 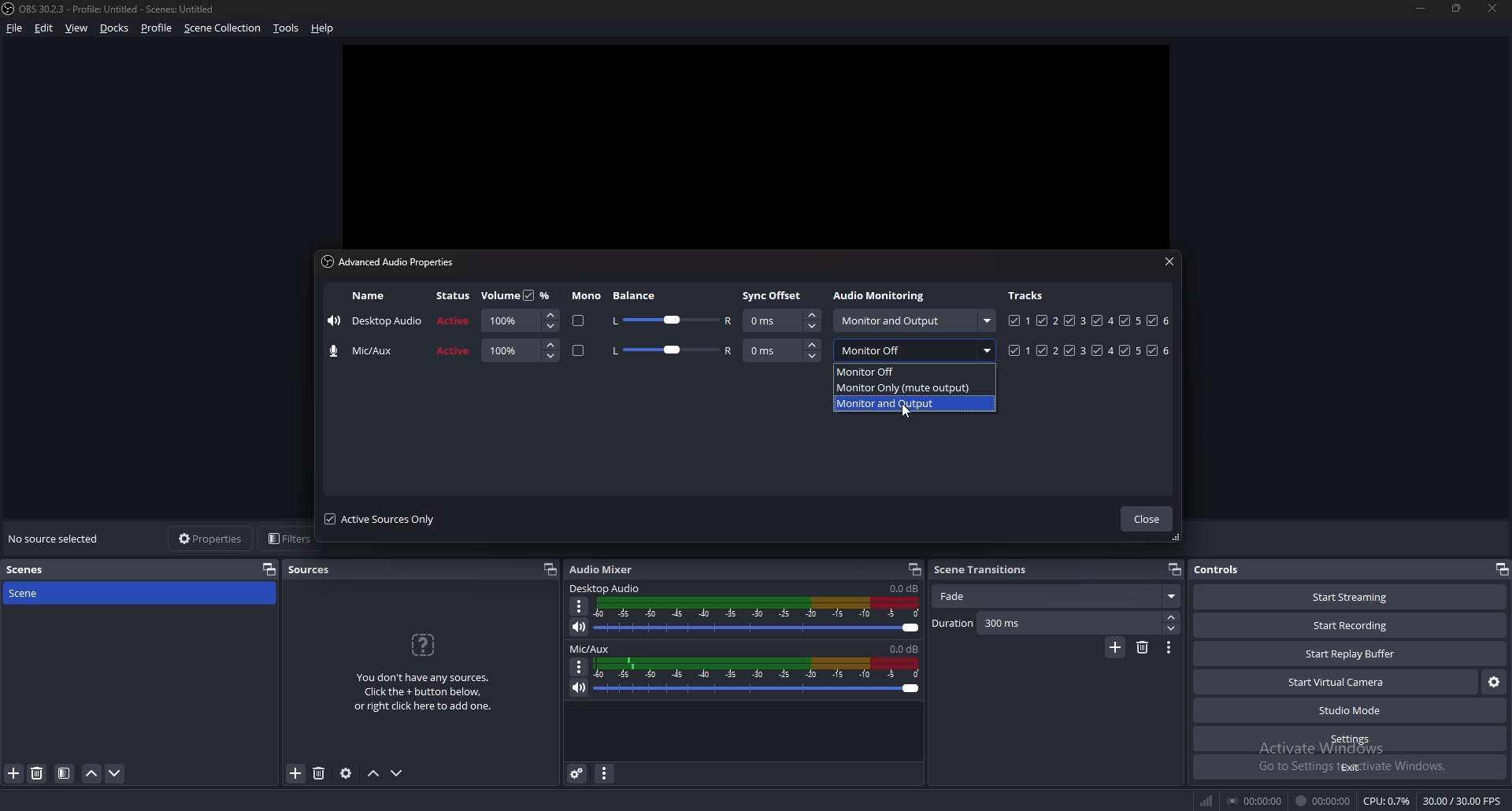 I want to click on mute, so click(x=580, y=628).